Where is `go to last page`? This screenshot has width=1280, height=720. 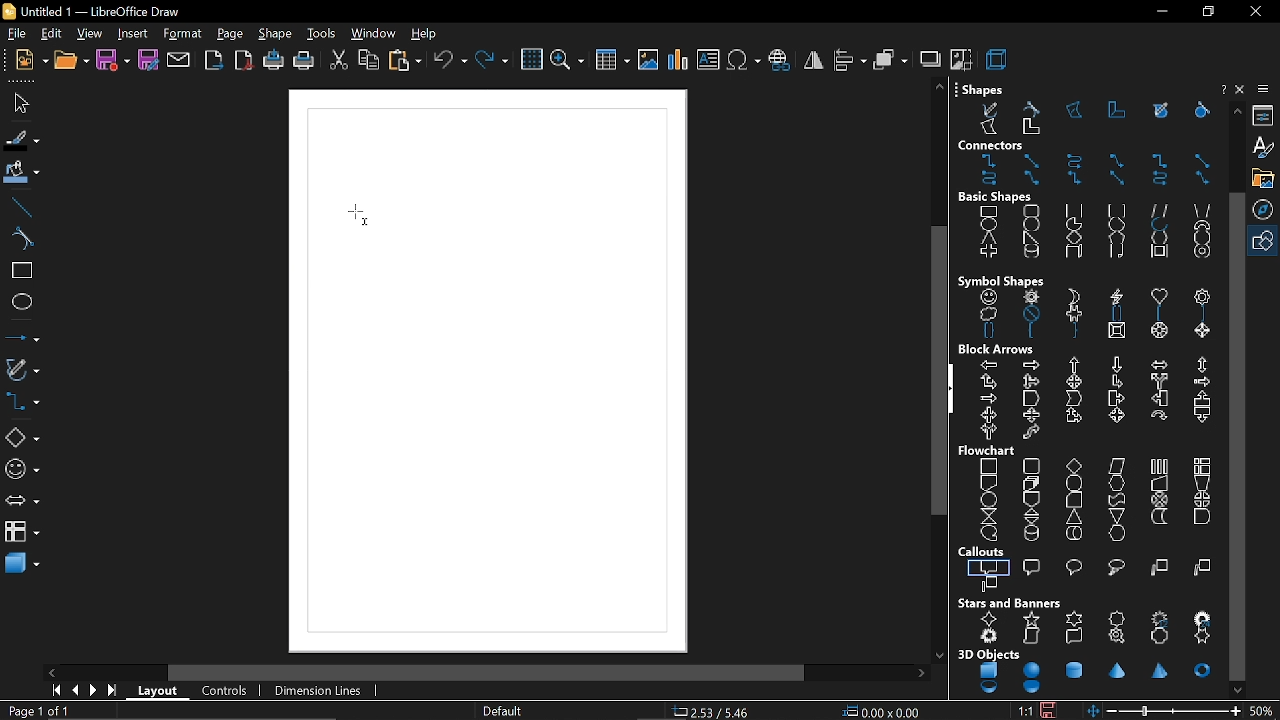 go to last page is located at coordinates (110, 693).